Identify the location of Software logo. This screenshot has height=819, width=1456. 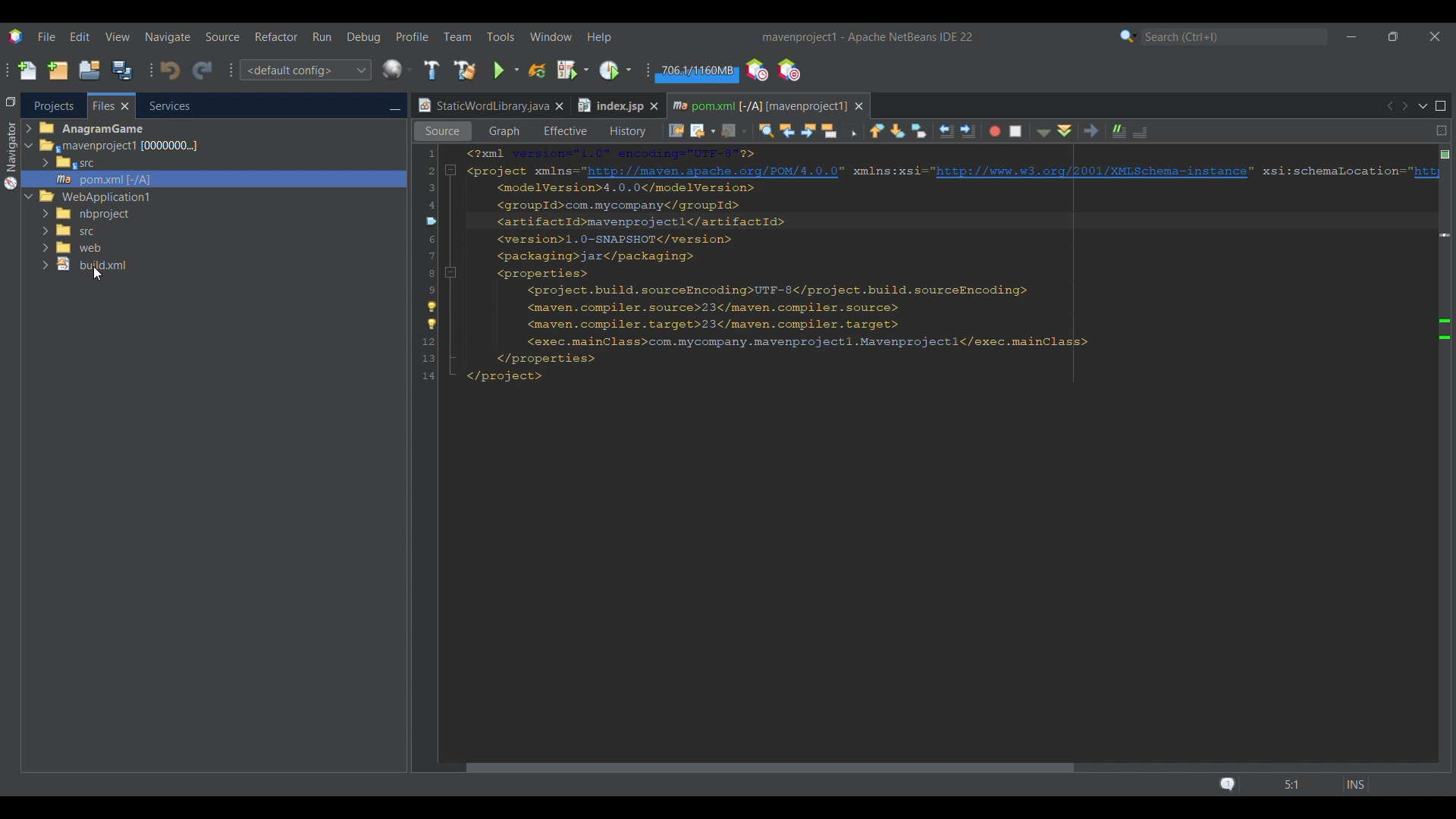
(16, 37).